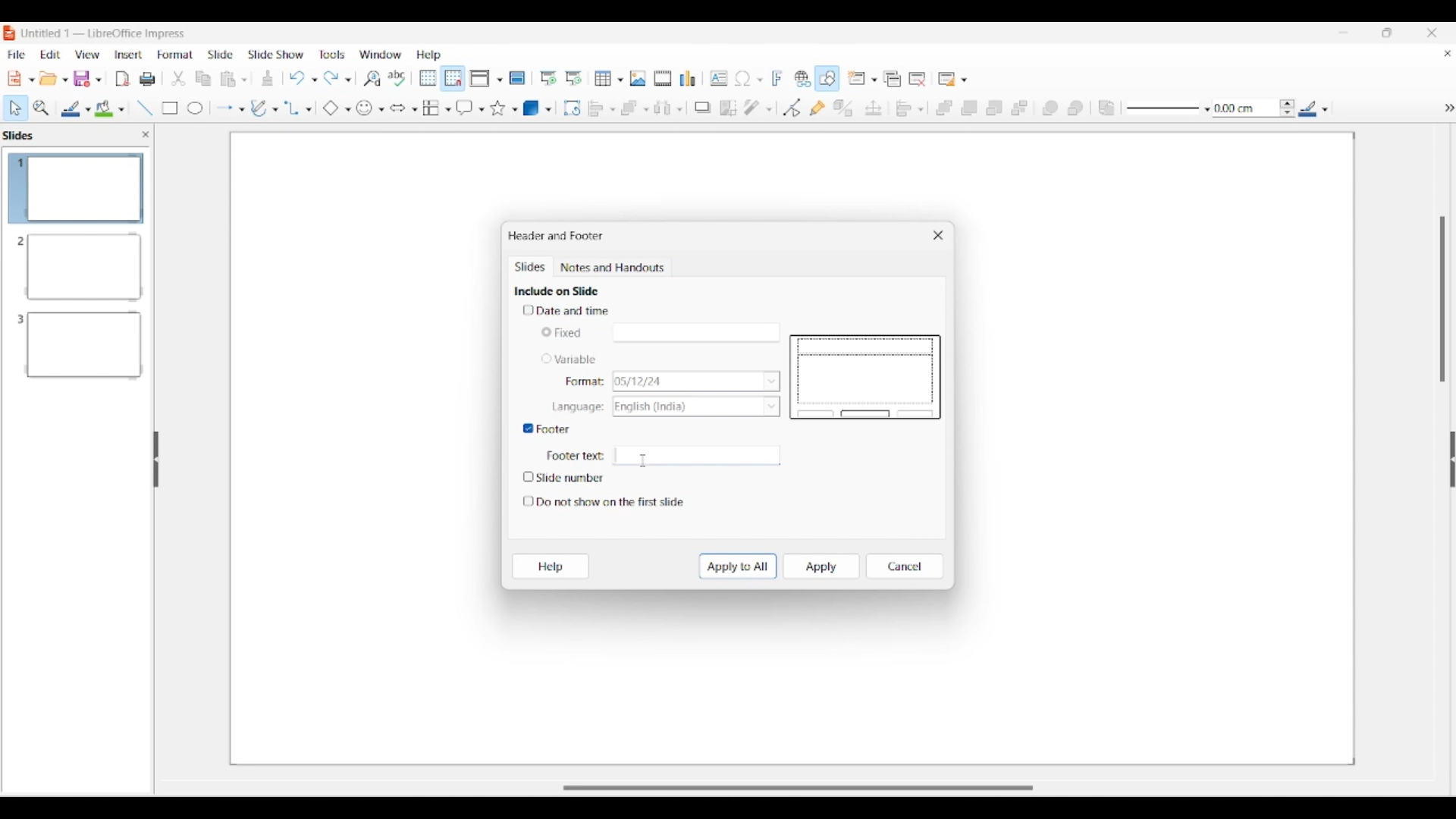  I want to click on Select at least 3 objects to distribute, so click(668, 108).